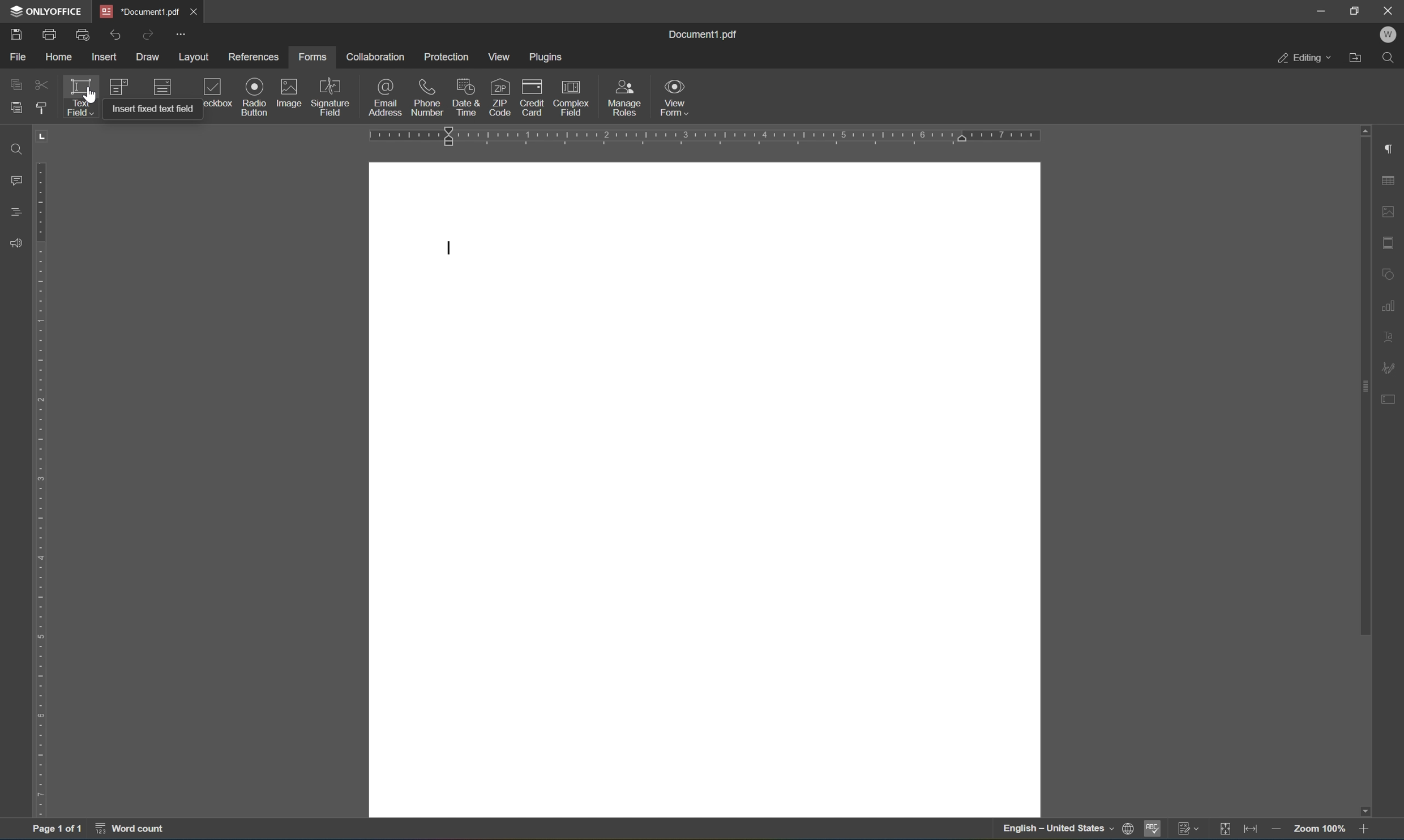  I want to click on paste, so click(19, 108).